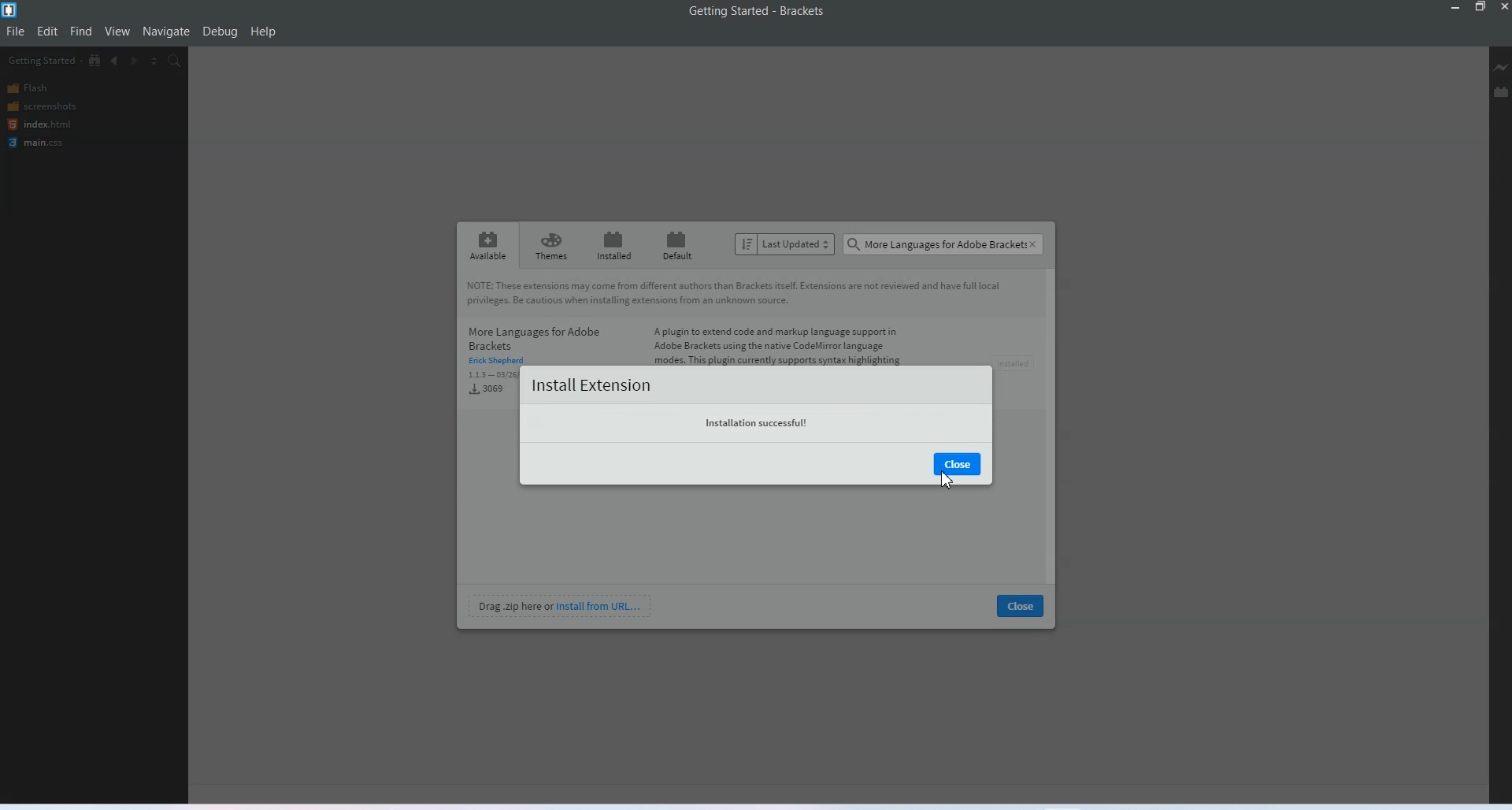 This screenshot has width=1512, height=810. Describe the element at coordinates (513, 605) in the screenshot. I see `Drag zip here or` at that location.